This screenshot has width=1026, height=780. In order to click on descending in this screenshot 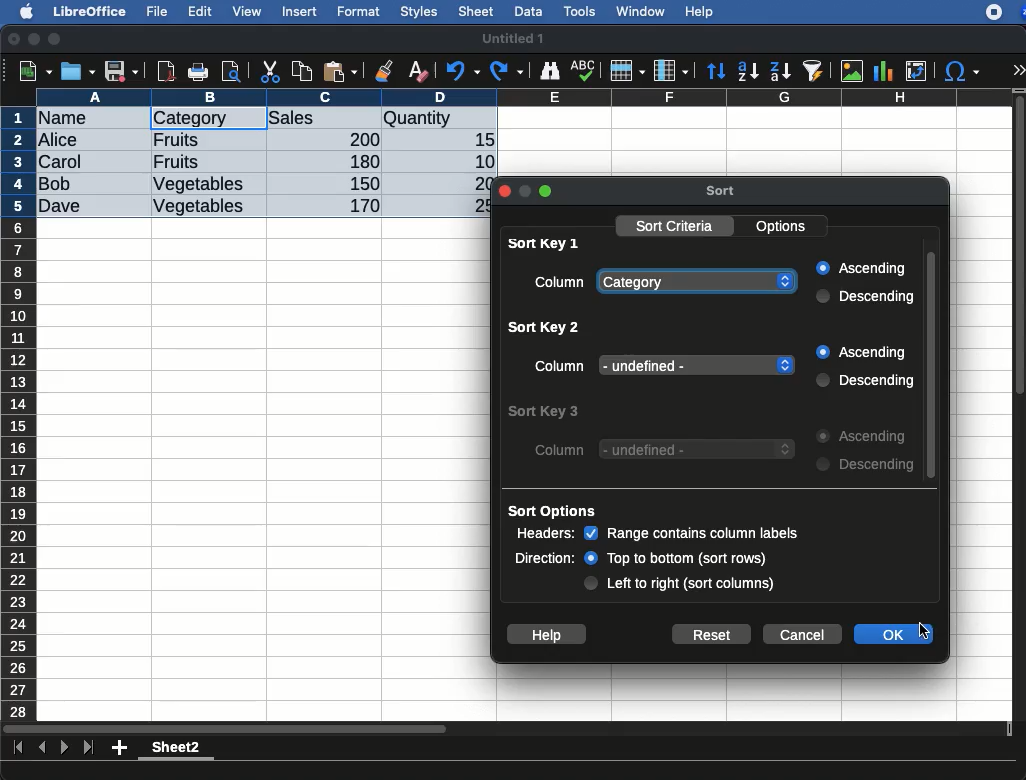, I will do `click(781, 72)`.